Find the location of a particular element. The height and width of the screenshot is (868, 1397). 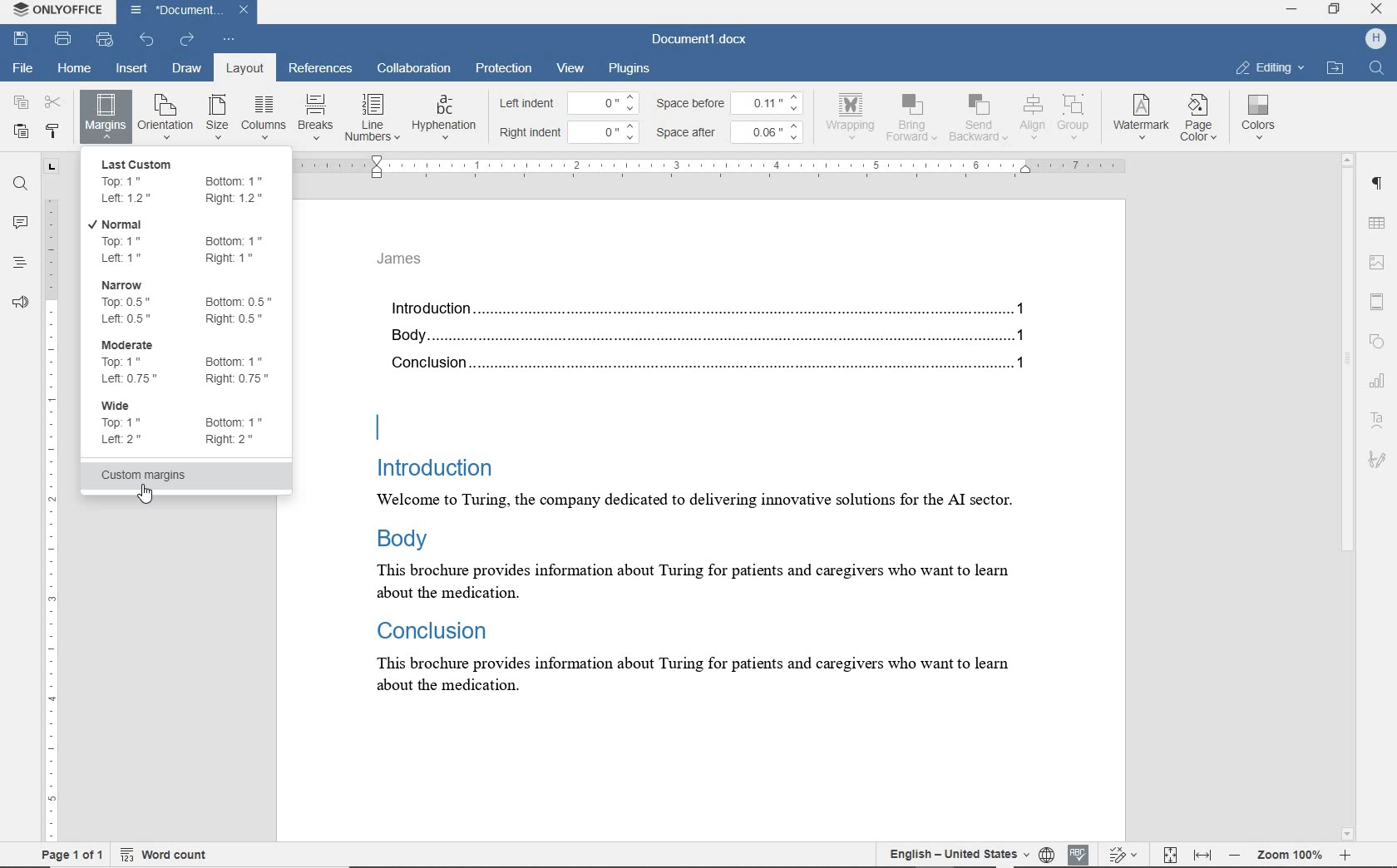

cursor is located at coordinates (157, 498).